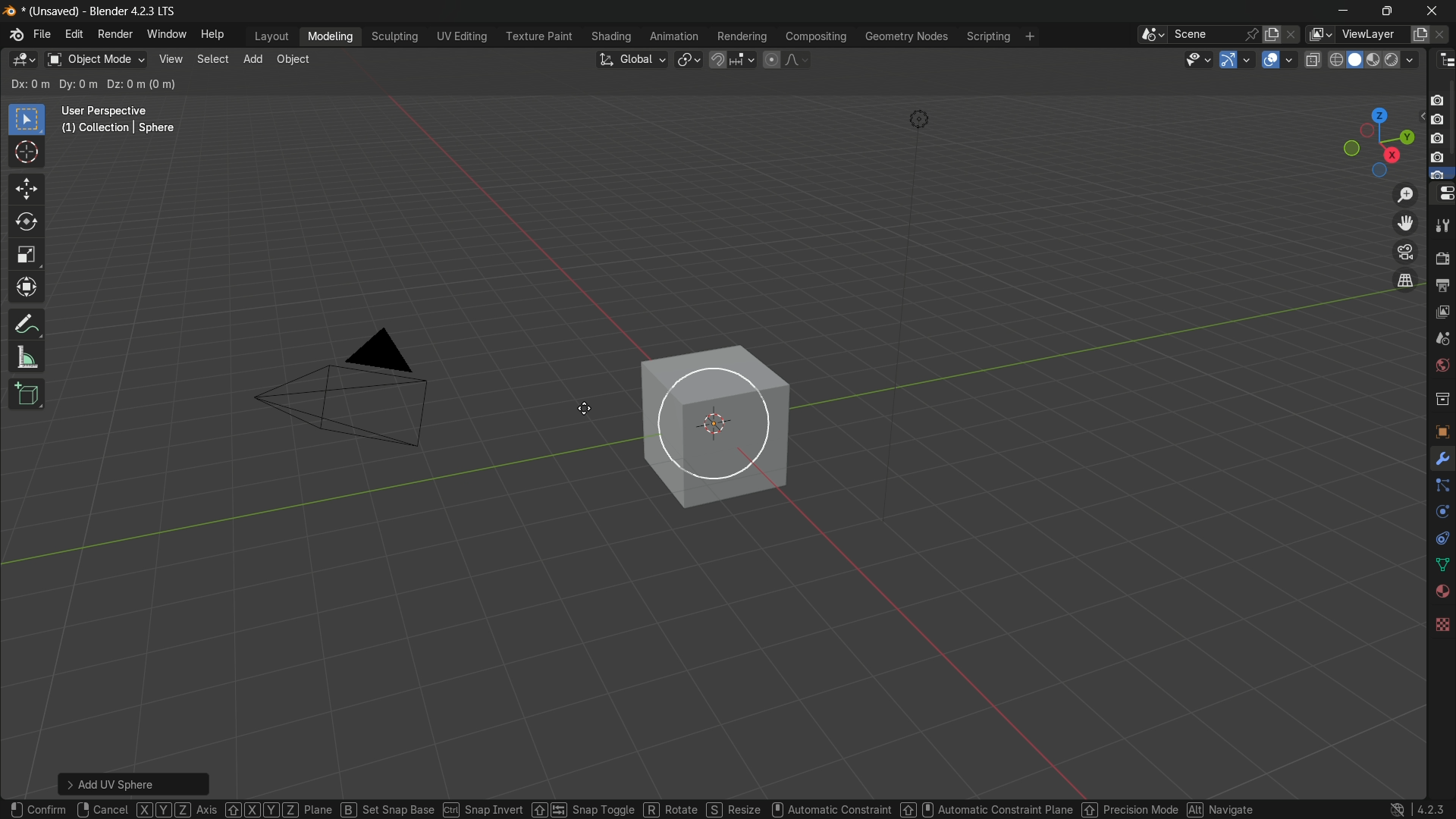  Describe the element at coordinates (1404, 224) in the screenshot. I see `move the view` at that location.